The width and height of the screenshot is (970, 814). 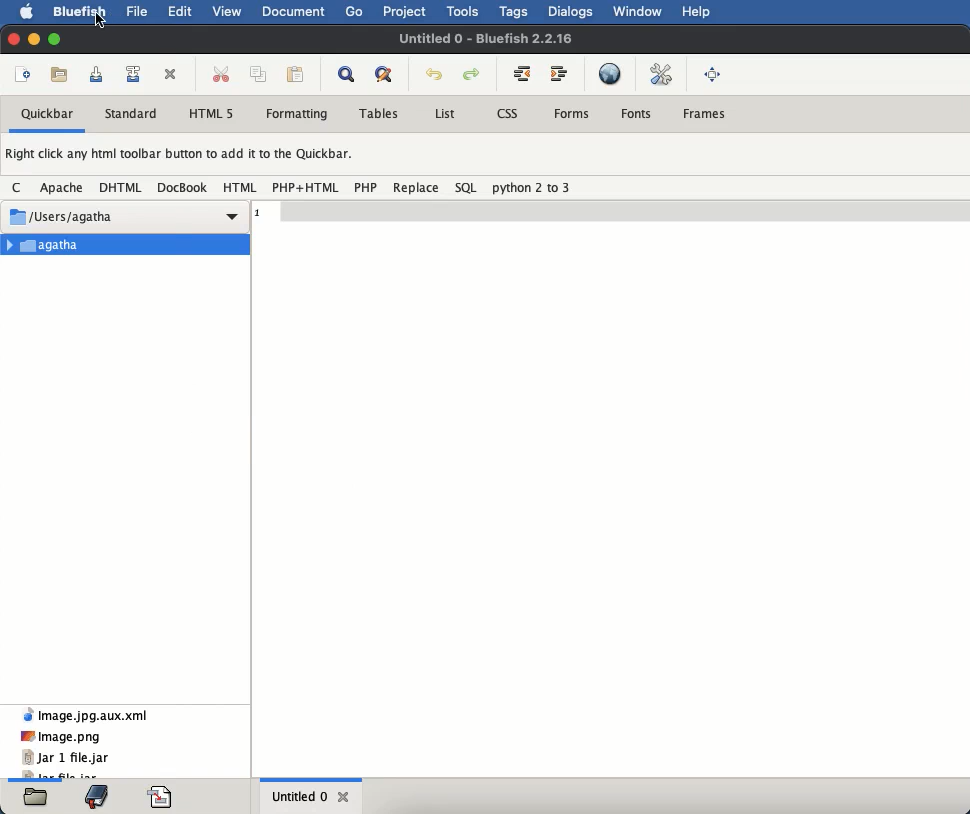 I want to click on close, so click(x=12, y=40).